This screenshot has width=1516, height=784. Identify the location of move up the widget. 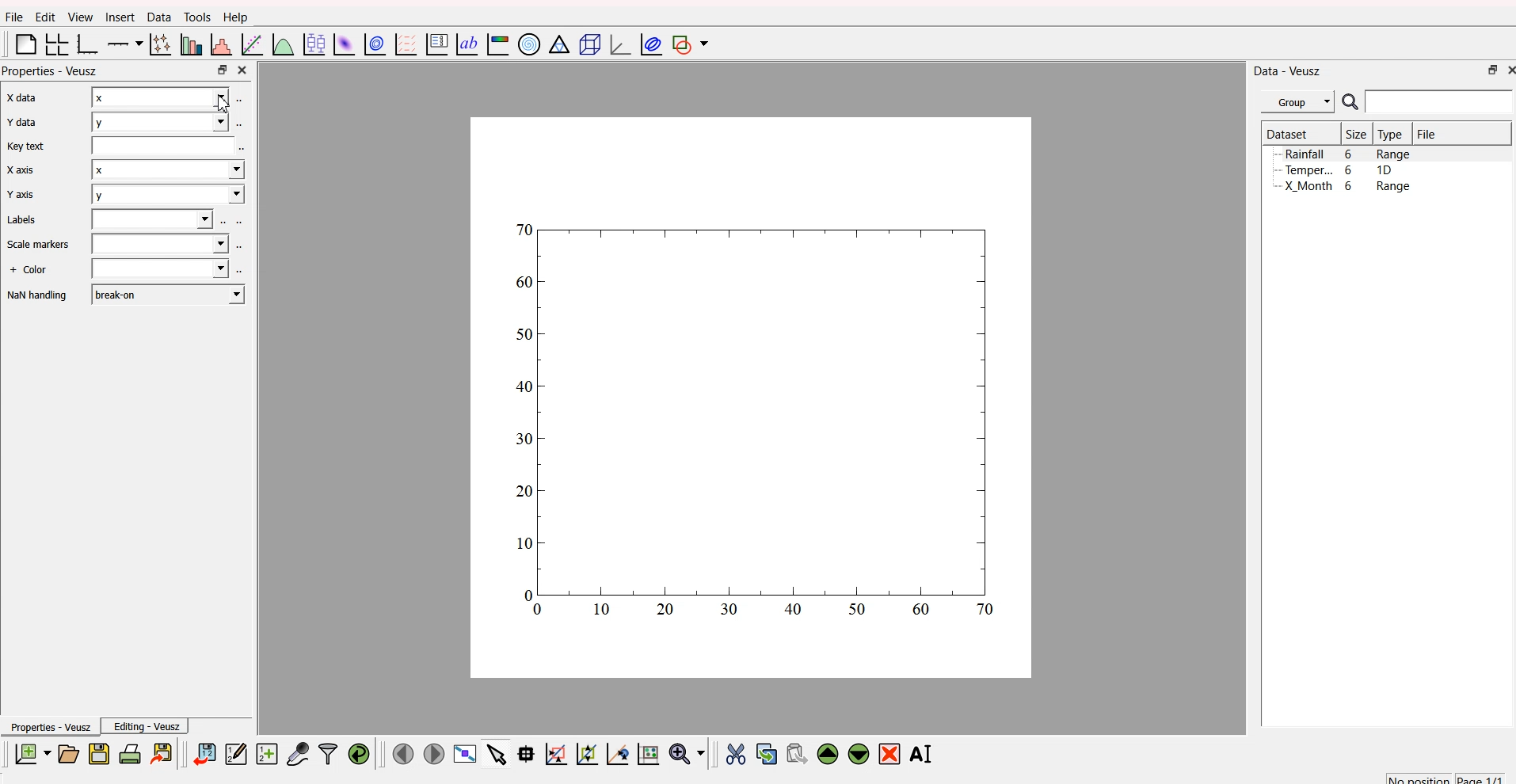
(827, 754).